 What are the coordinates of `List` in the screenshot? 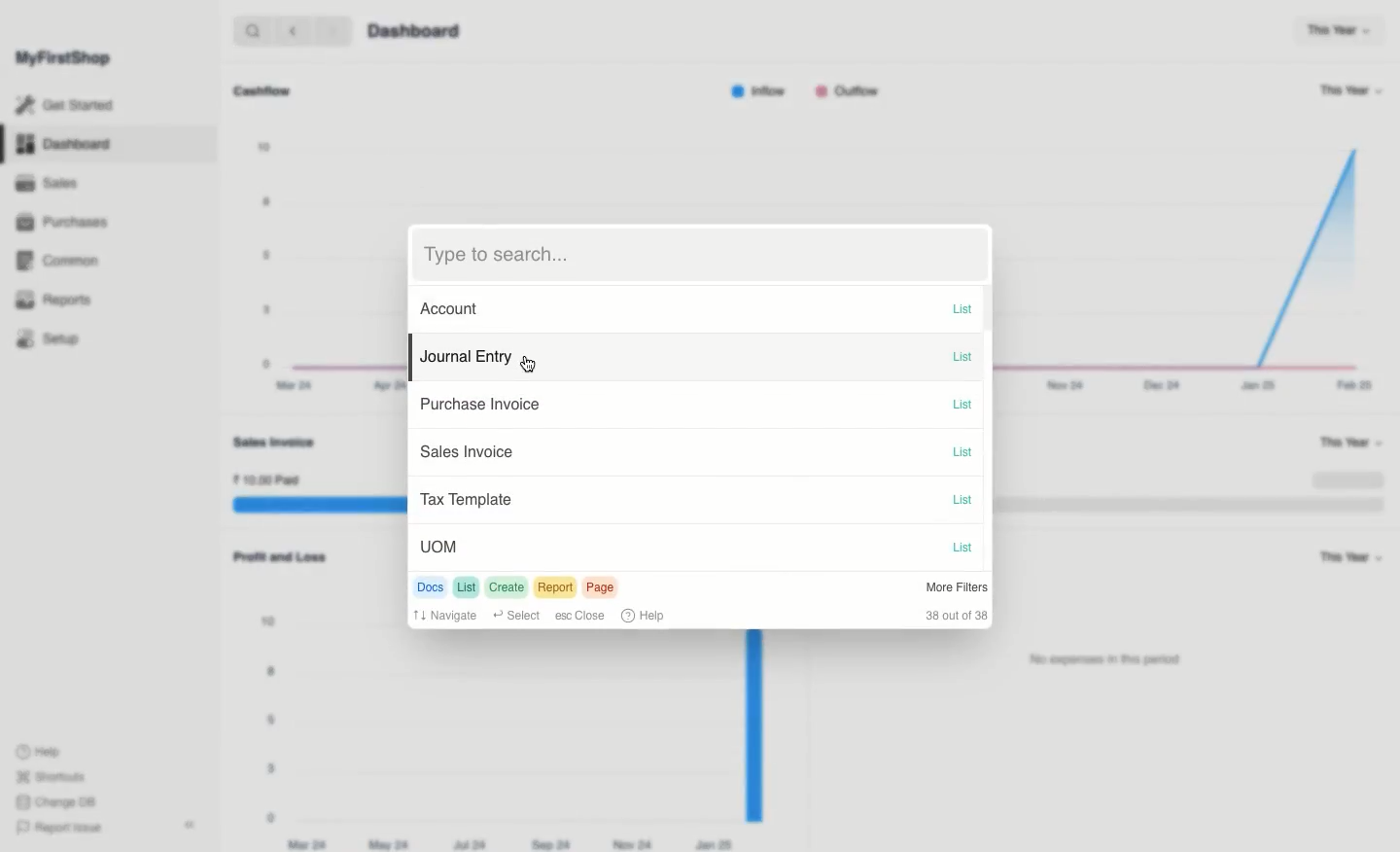 It's located at (960, 451).